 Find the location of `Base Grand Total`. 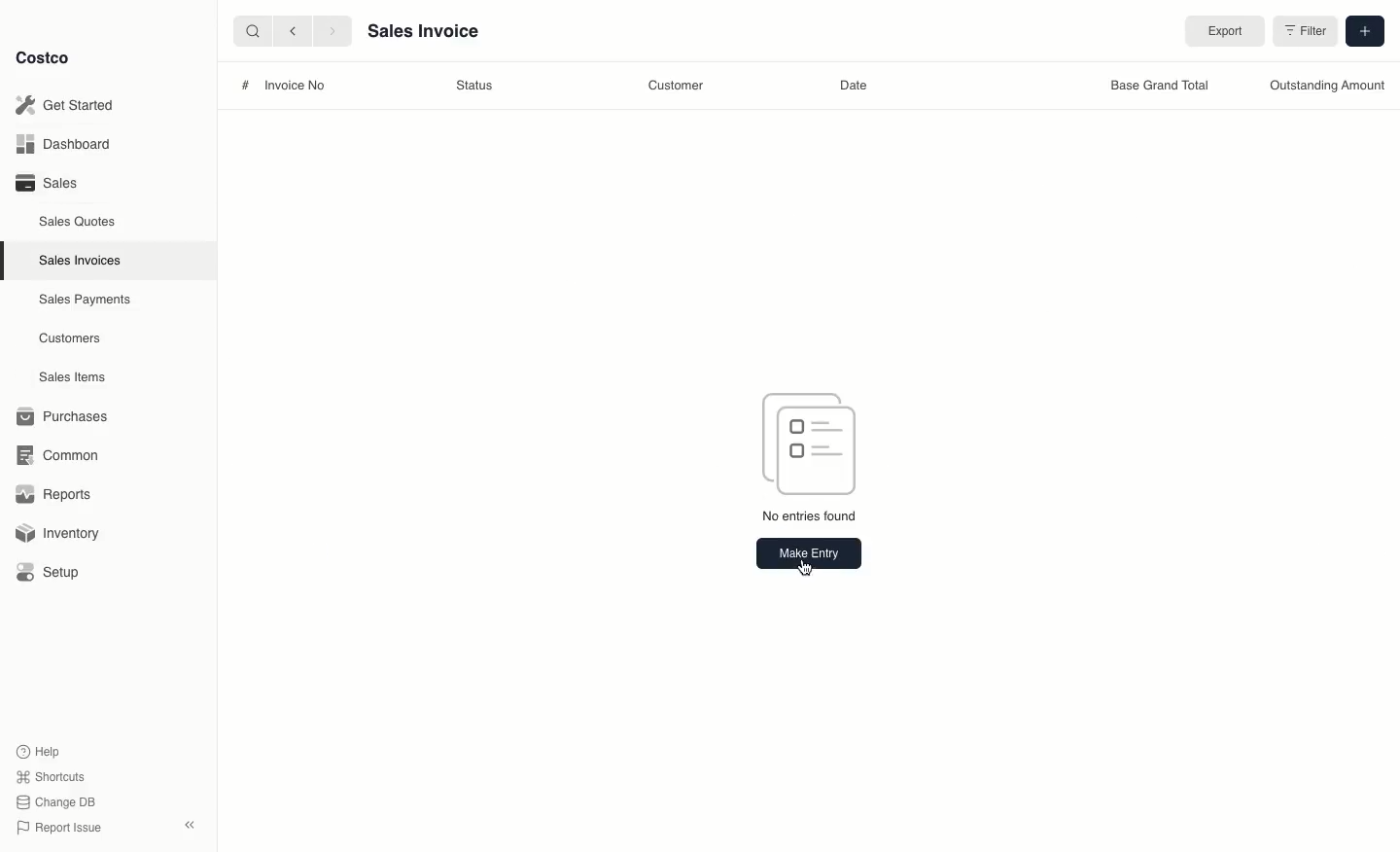

Base Grand Total is located at coordinates (1157, 86).